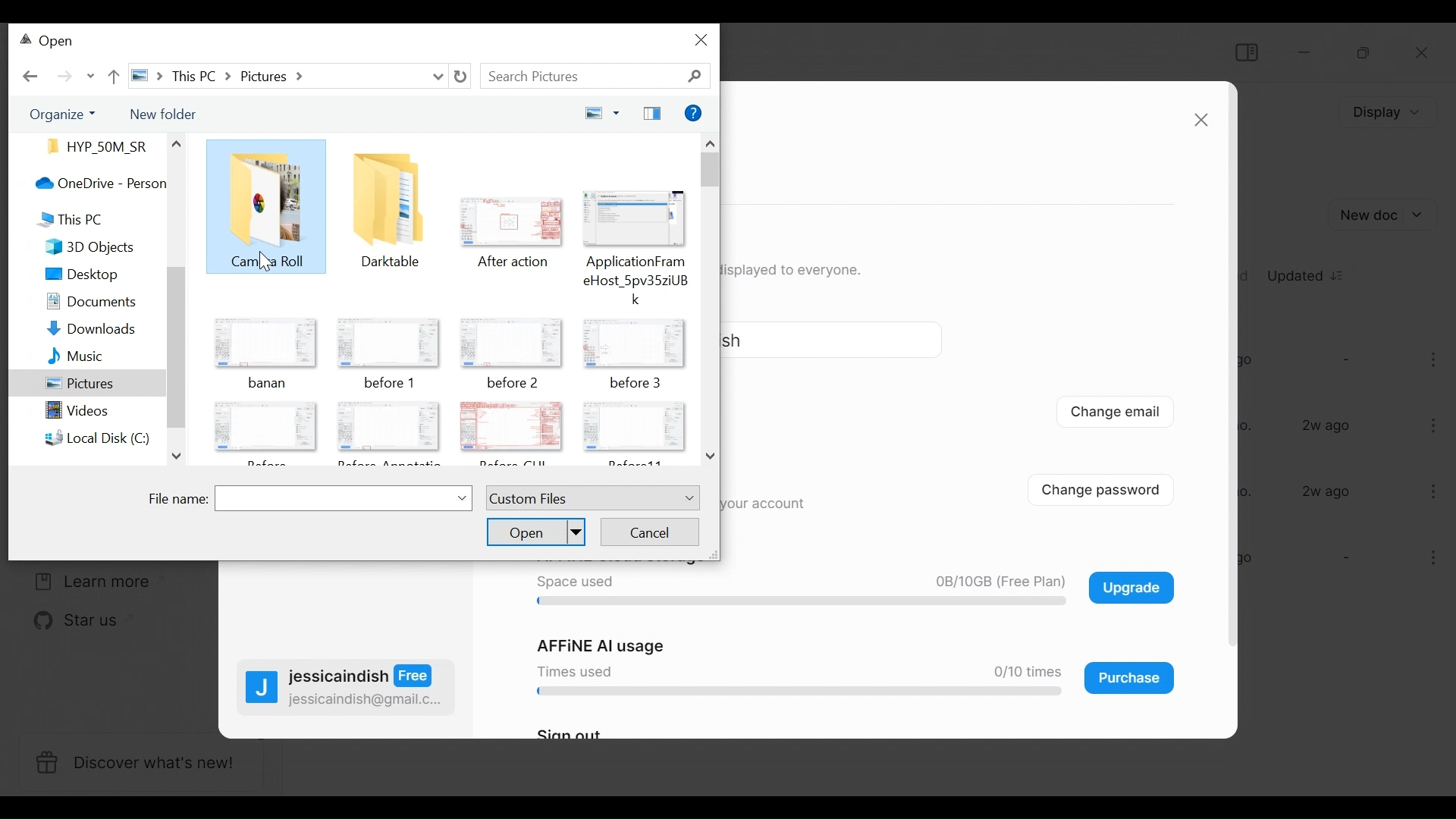 This screenshot has width=1456, height=819. What do you see at coordinates (1307, 52) in the screenshot?
I see `minimize` at bounding box center [1307, 52].